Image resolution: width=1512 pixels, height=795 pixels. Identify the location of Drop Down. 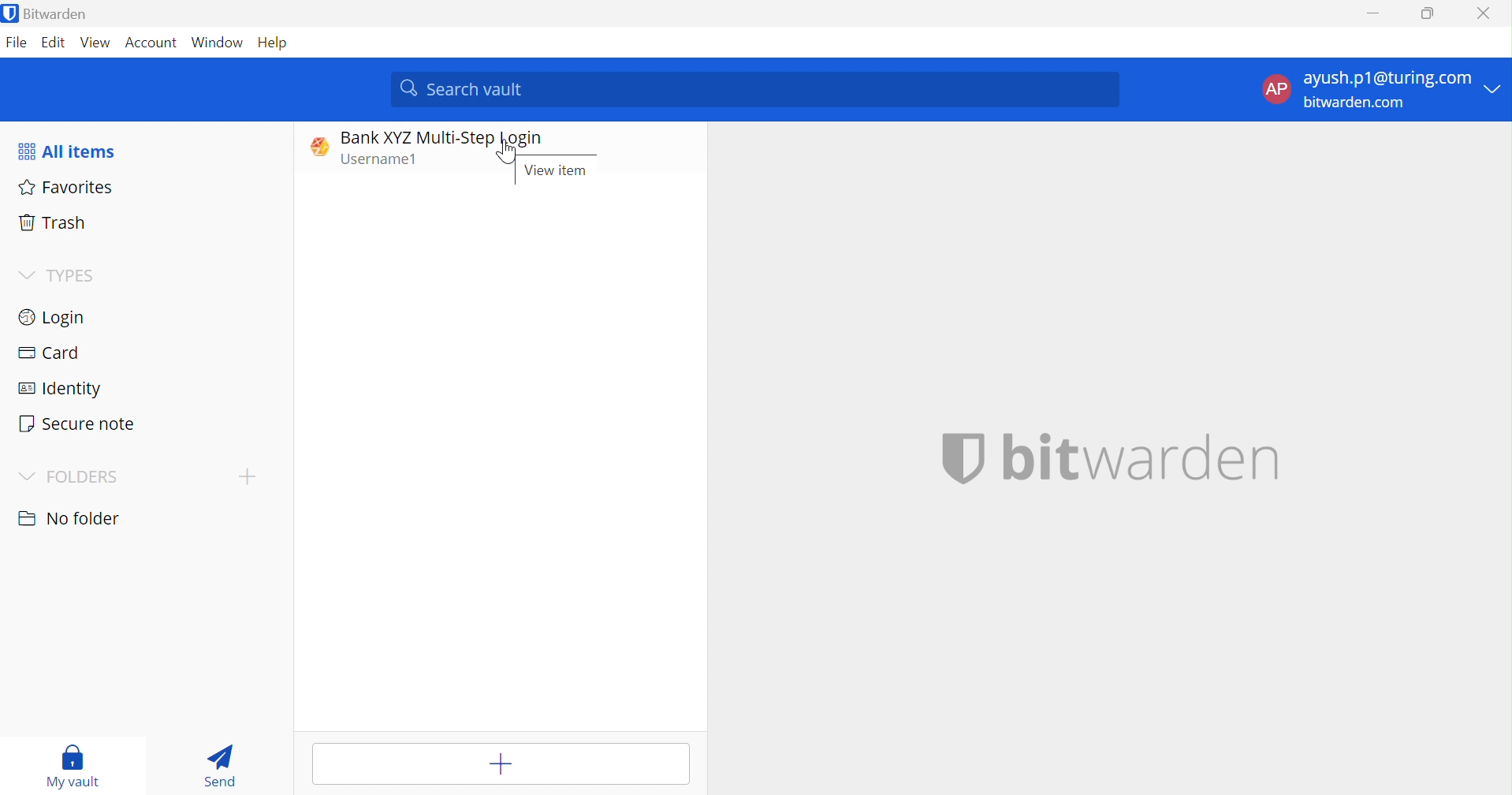
(26, 476).